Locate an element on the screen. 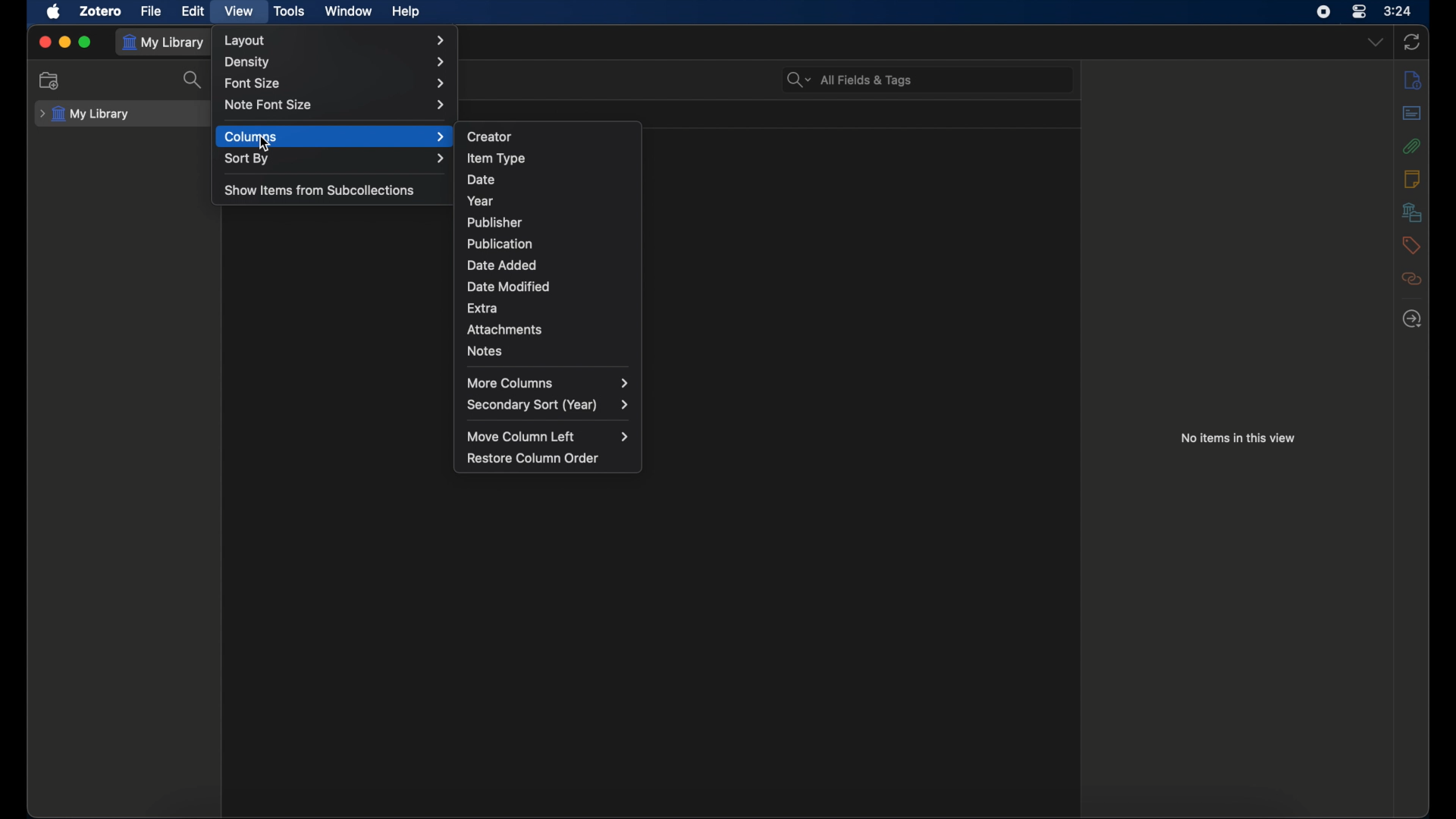  related is located at coordinates (1411, 278).